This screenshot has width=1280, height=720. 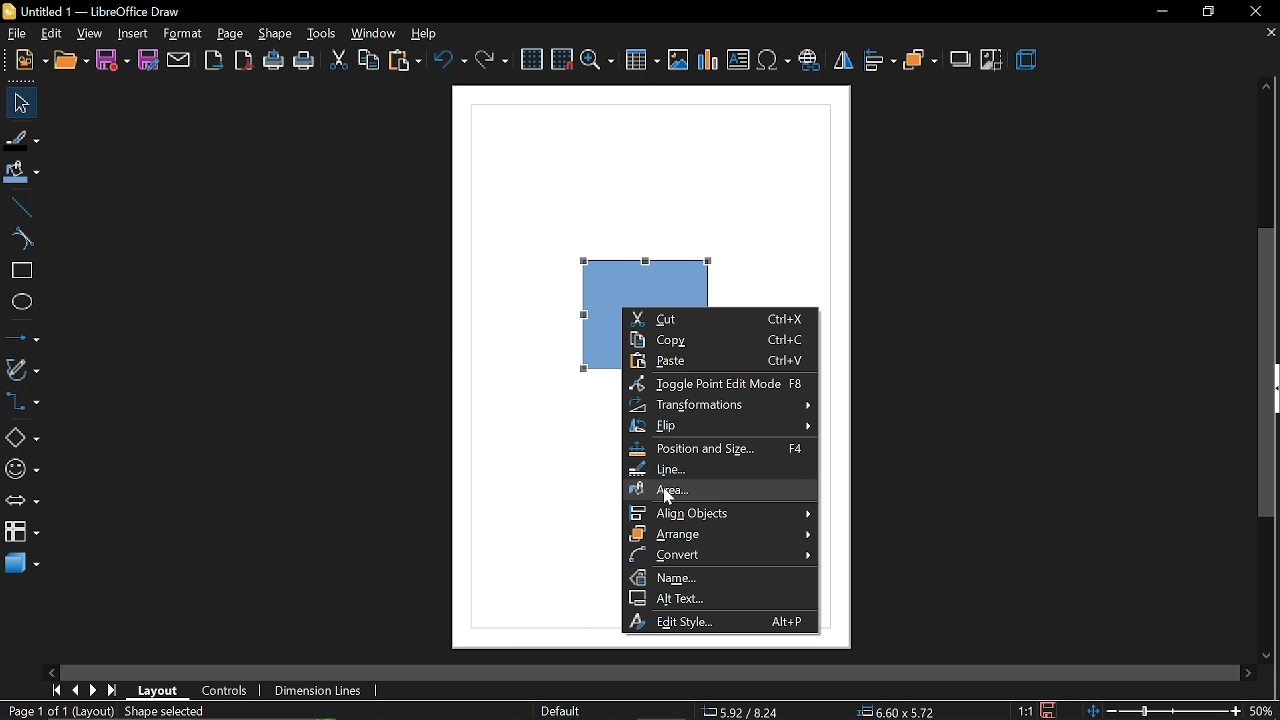 I want to click on restore down, so click(x=1207, y=11).